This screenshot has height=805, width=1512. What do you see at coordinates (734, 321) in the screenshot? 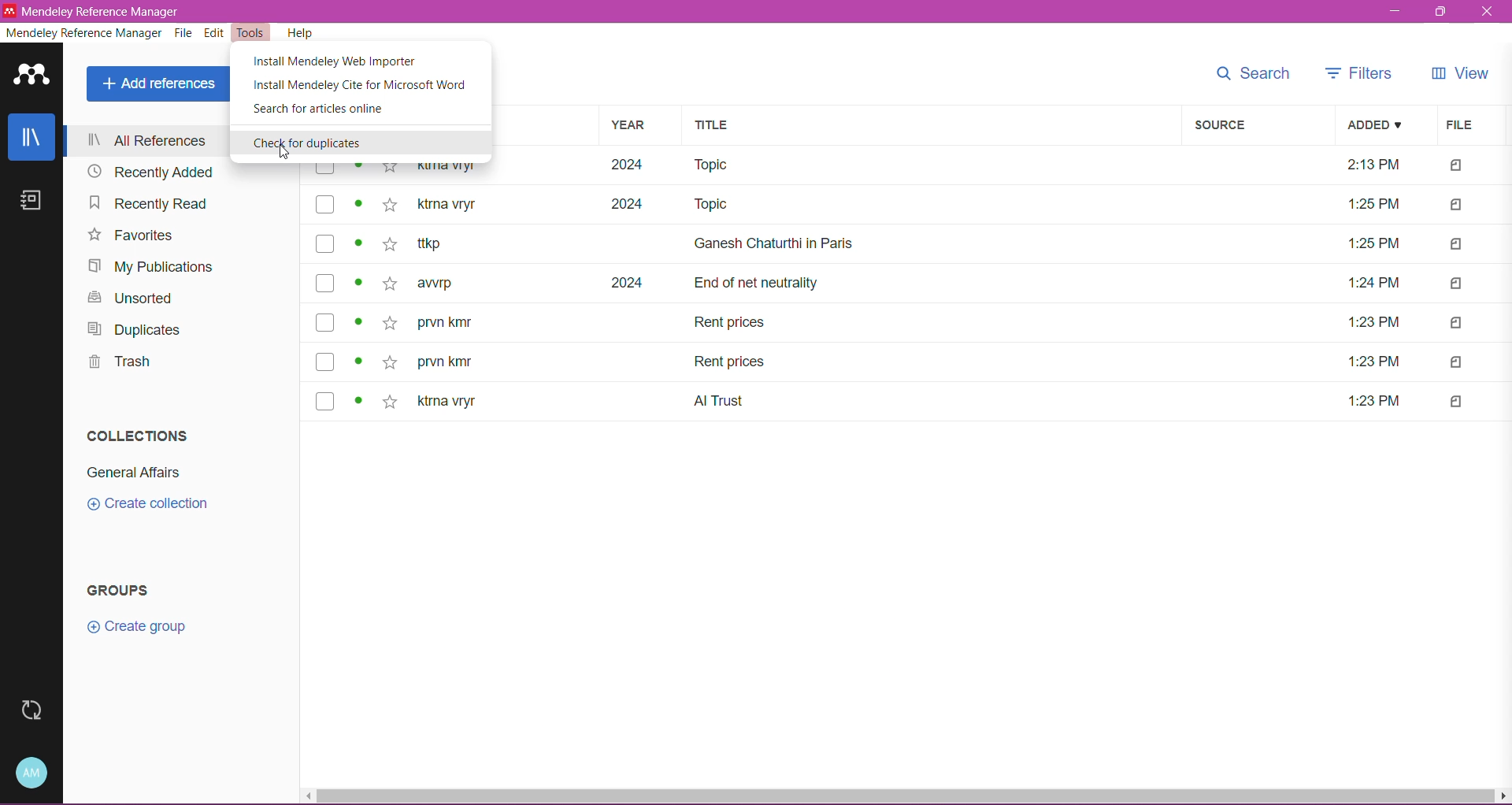
I see `Title` at bounding box center [734, 321].